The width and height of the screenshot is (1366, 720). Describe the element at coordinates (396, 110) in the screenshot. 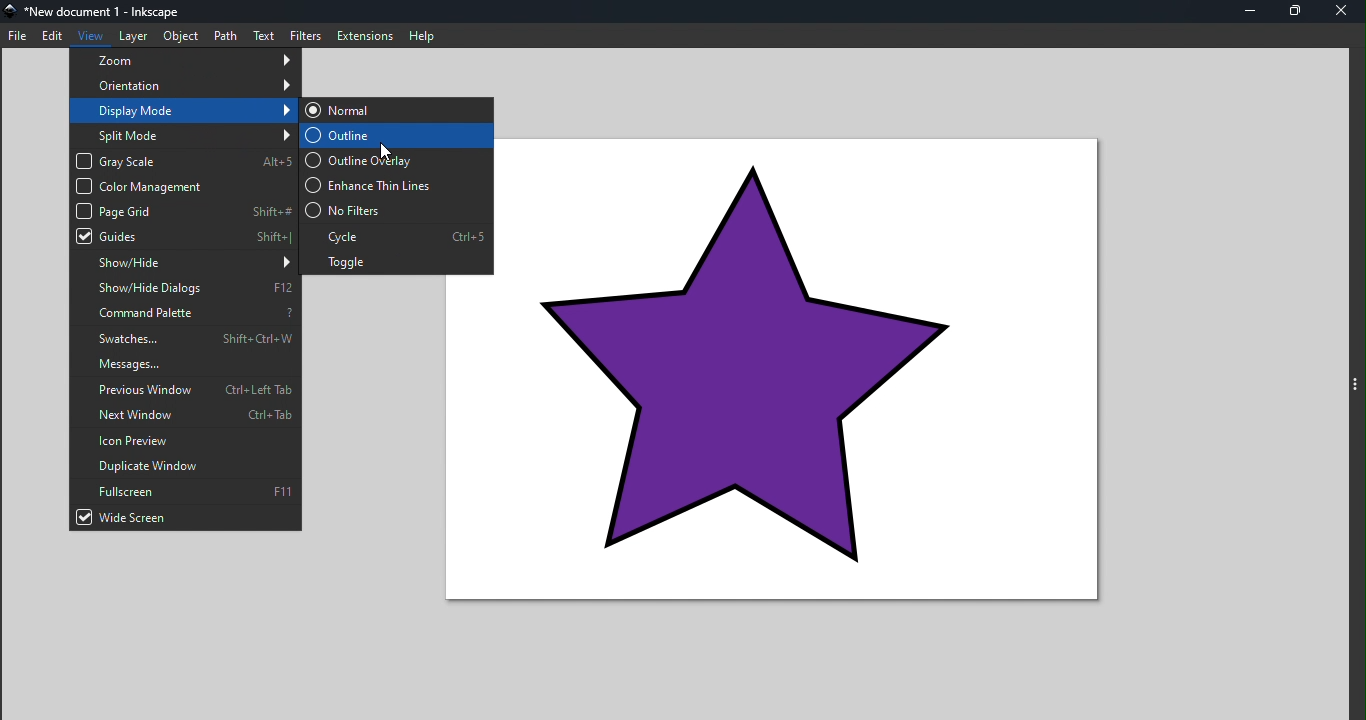

I see `Normal` at that location.